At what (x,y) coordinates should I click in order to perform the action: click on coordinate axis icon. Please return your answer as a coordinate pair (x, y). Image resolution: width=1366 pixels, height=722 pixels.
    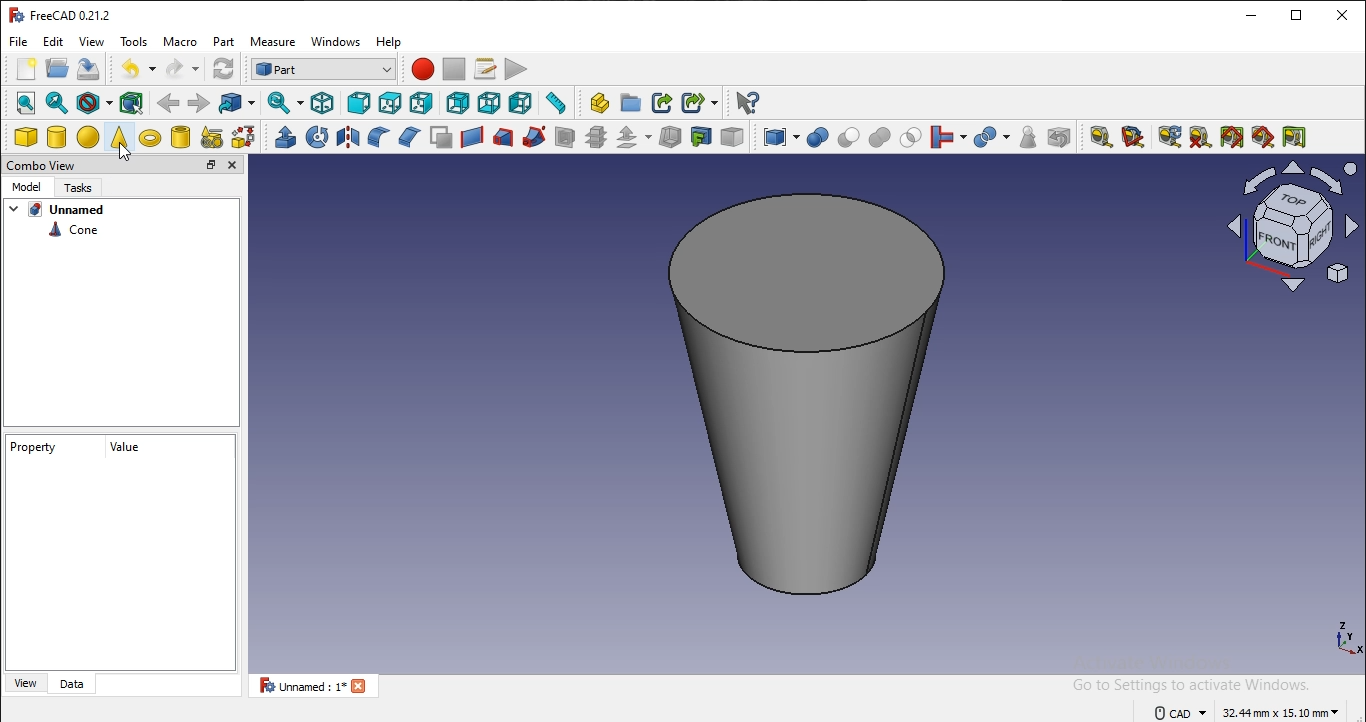
    Looking at the image, I should click on (1346, 645).